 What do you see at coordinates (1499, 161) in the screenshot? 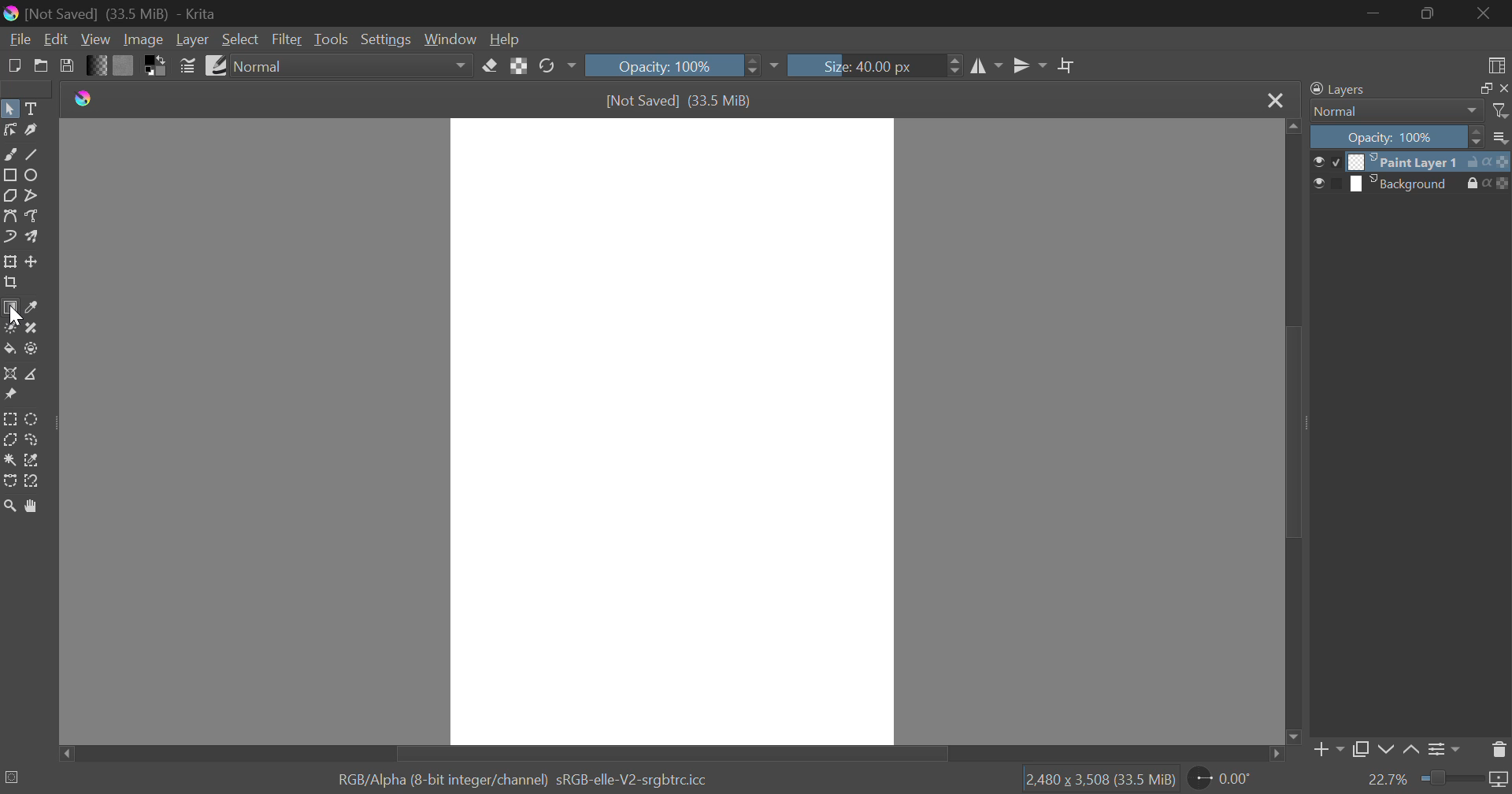
I see `icon` at bounding box center [1499, 161].